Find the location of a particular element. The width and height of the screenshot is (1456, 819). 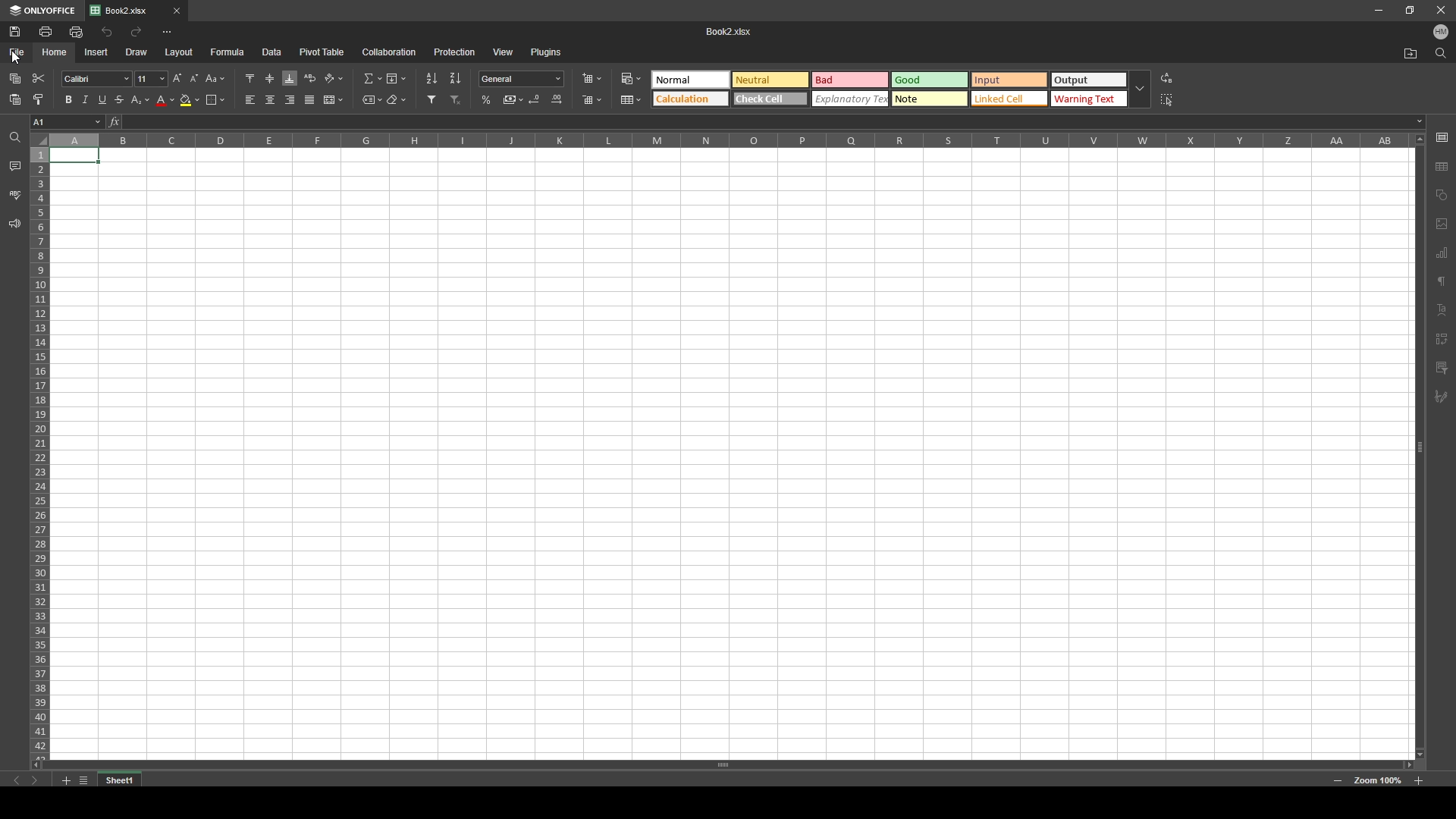

transform is located at coordinates (1442, 337).